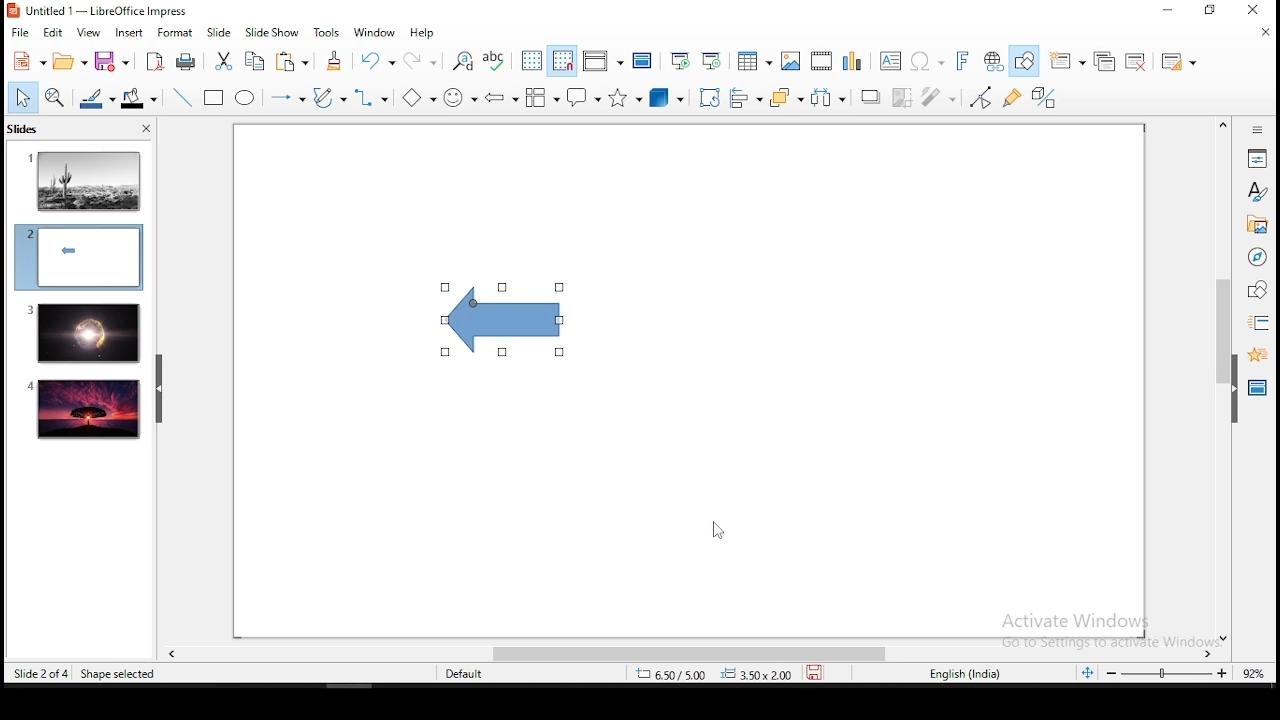  What do you see at coordinates (1258, 324) in the screenshot?
I see `slide transition` at bounding box center [1258, 324].